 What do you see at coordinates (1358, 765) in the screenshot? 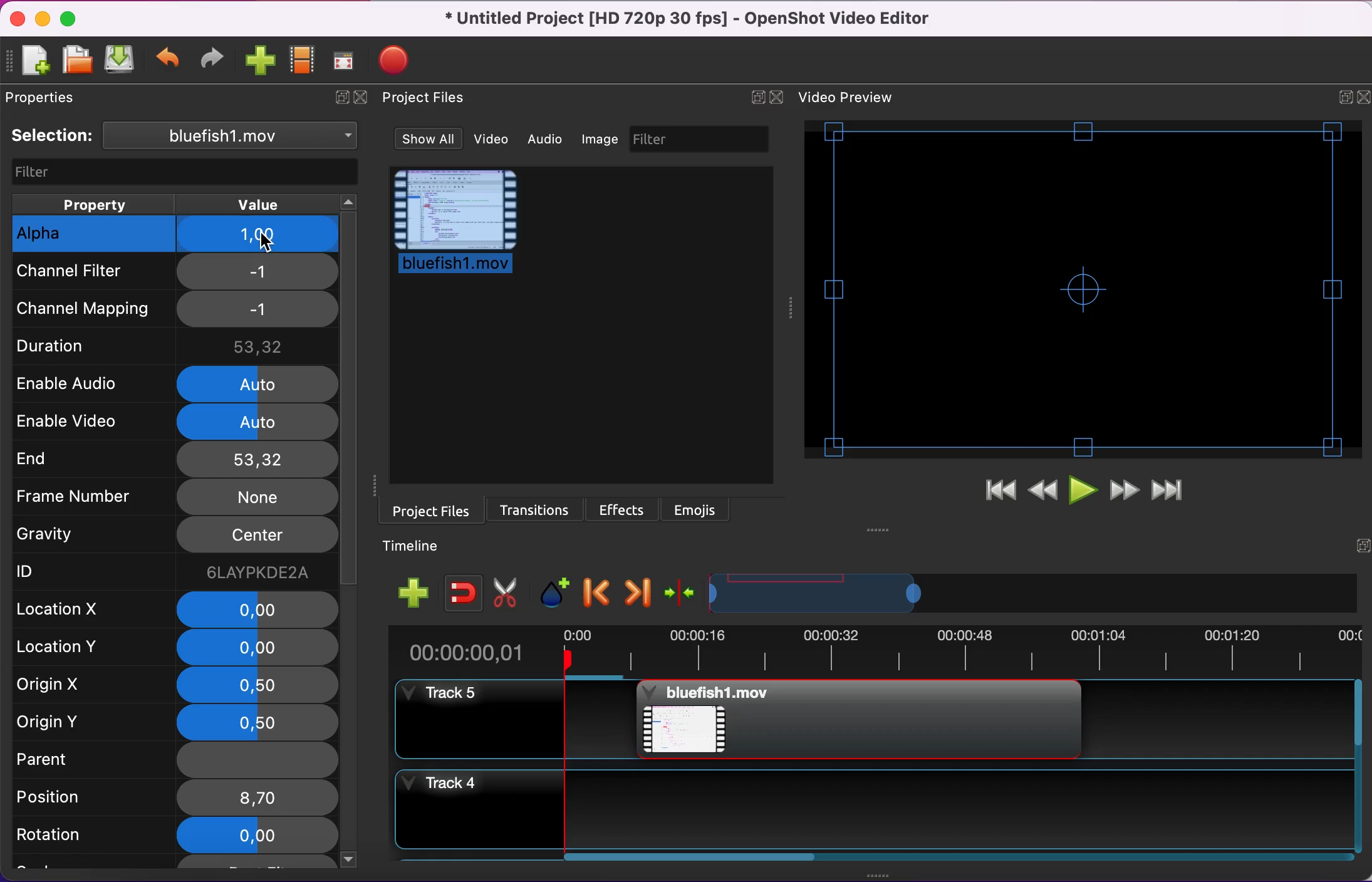
I see `Vertical slide bar` at bounding box center [1358, 765].